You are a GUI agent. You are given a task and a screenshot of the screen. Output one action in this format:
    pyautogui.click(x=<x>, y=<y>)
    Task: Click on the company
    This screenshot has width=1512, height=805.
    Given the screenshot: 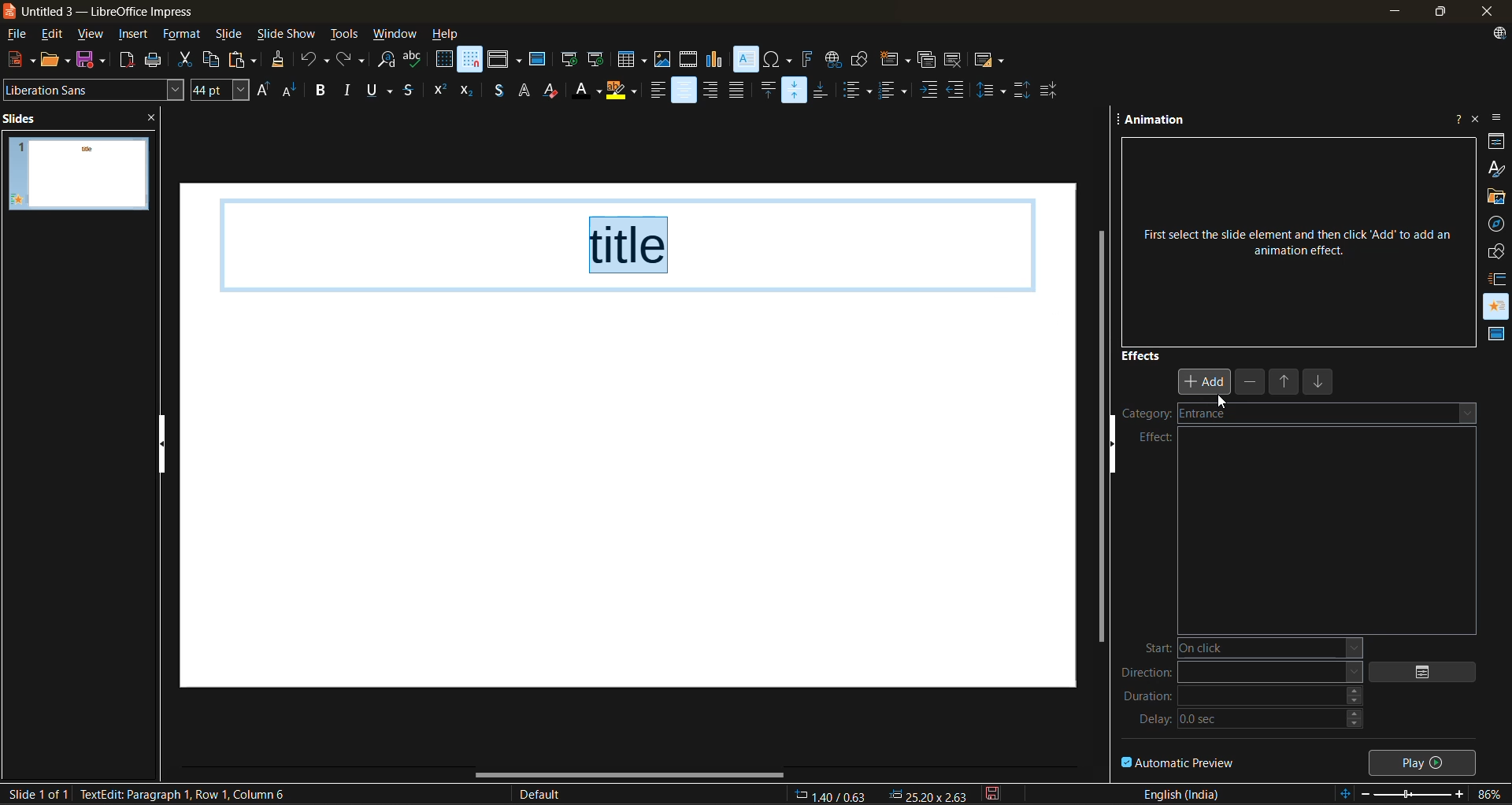 What is the action you would take?
    pyautogui.click(x=1172, y=416)
    